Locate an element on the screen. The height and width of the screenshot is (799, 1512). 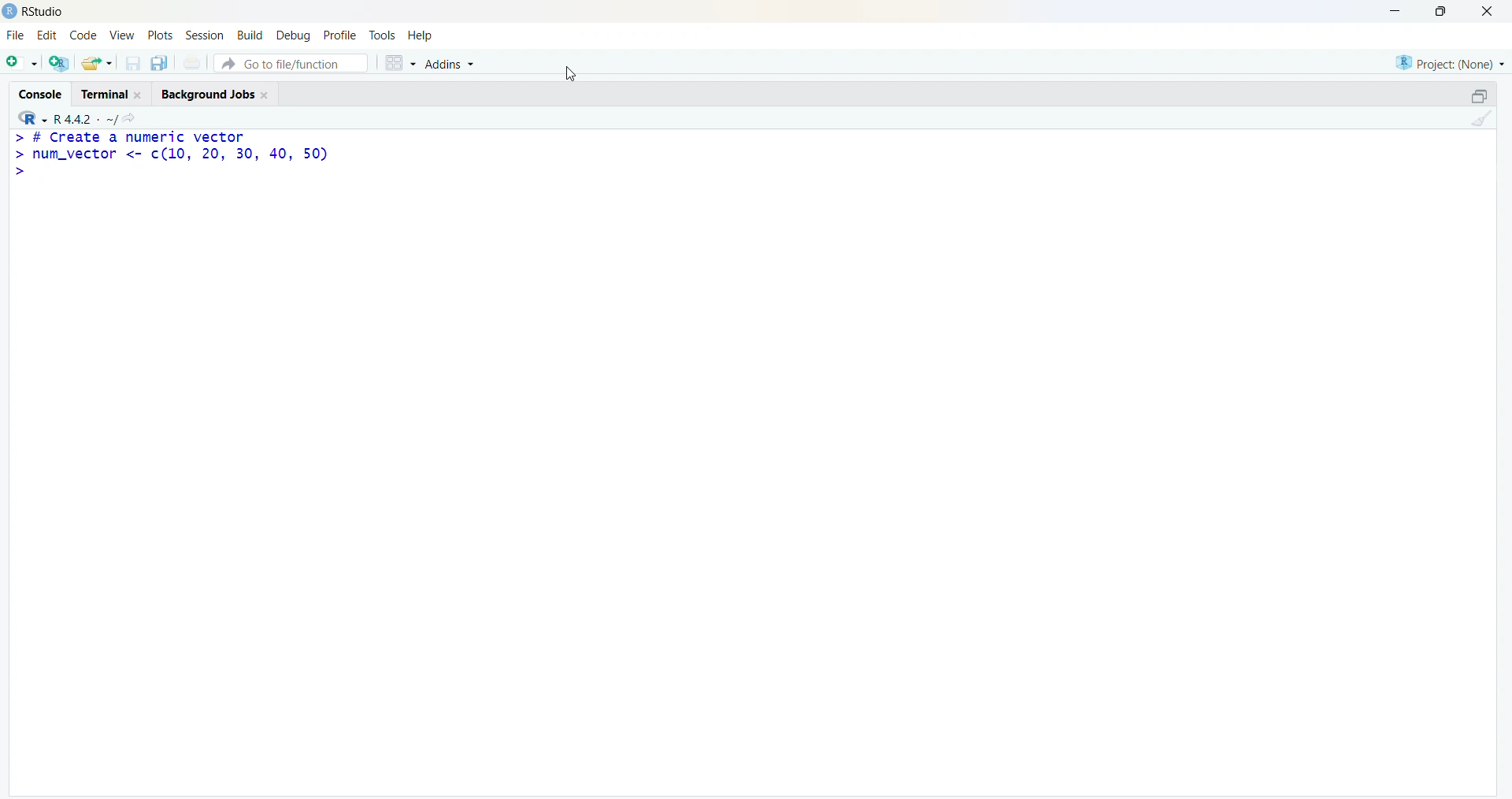
save is located at coordinates (132, 63).